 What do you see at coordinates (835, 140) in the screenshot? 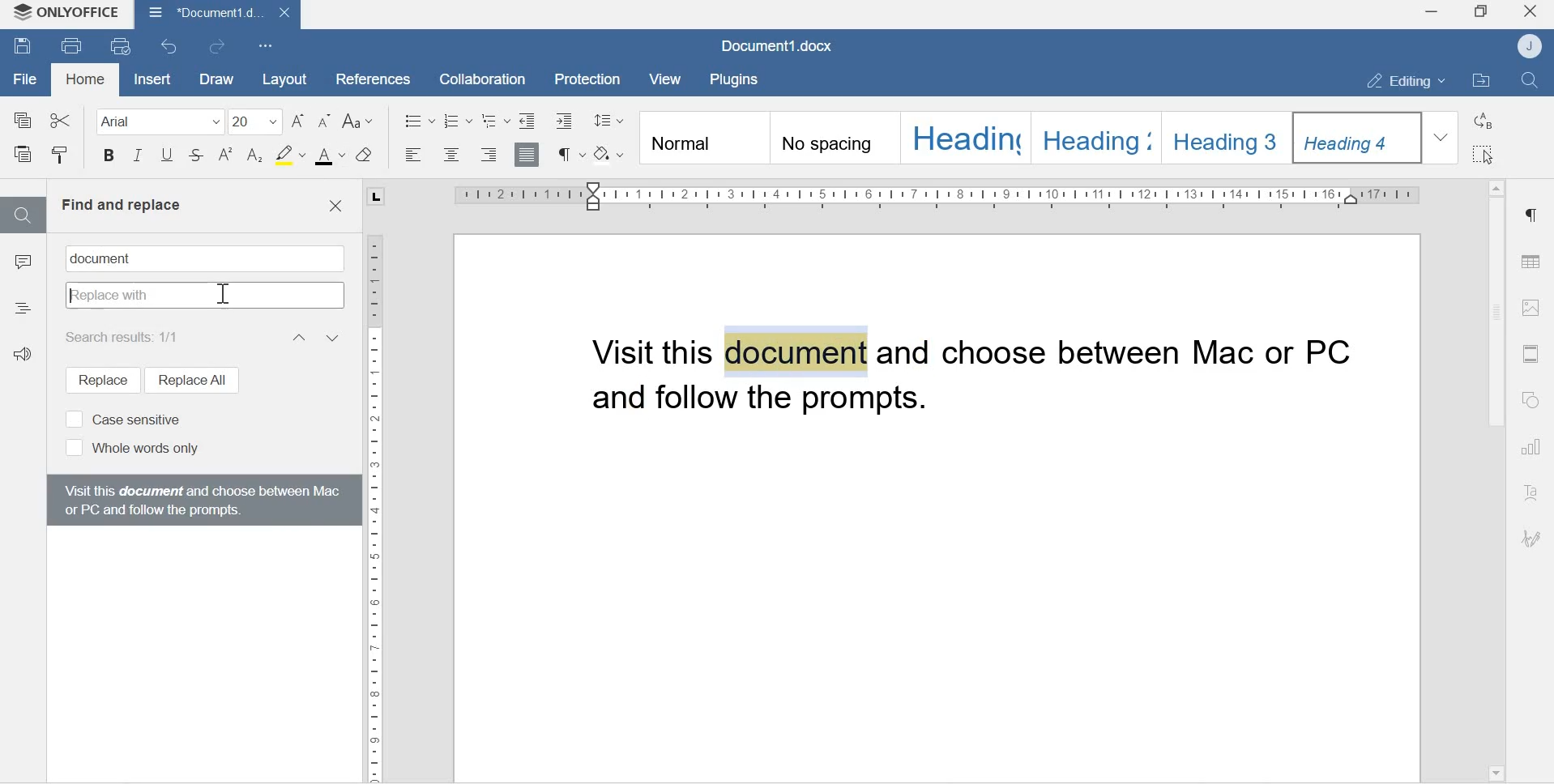
I see `No spacing` at bounding box center [835, 140].